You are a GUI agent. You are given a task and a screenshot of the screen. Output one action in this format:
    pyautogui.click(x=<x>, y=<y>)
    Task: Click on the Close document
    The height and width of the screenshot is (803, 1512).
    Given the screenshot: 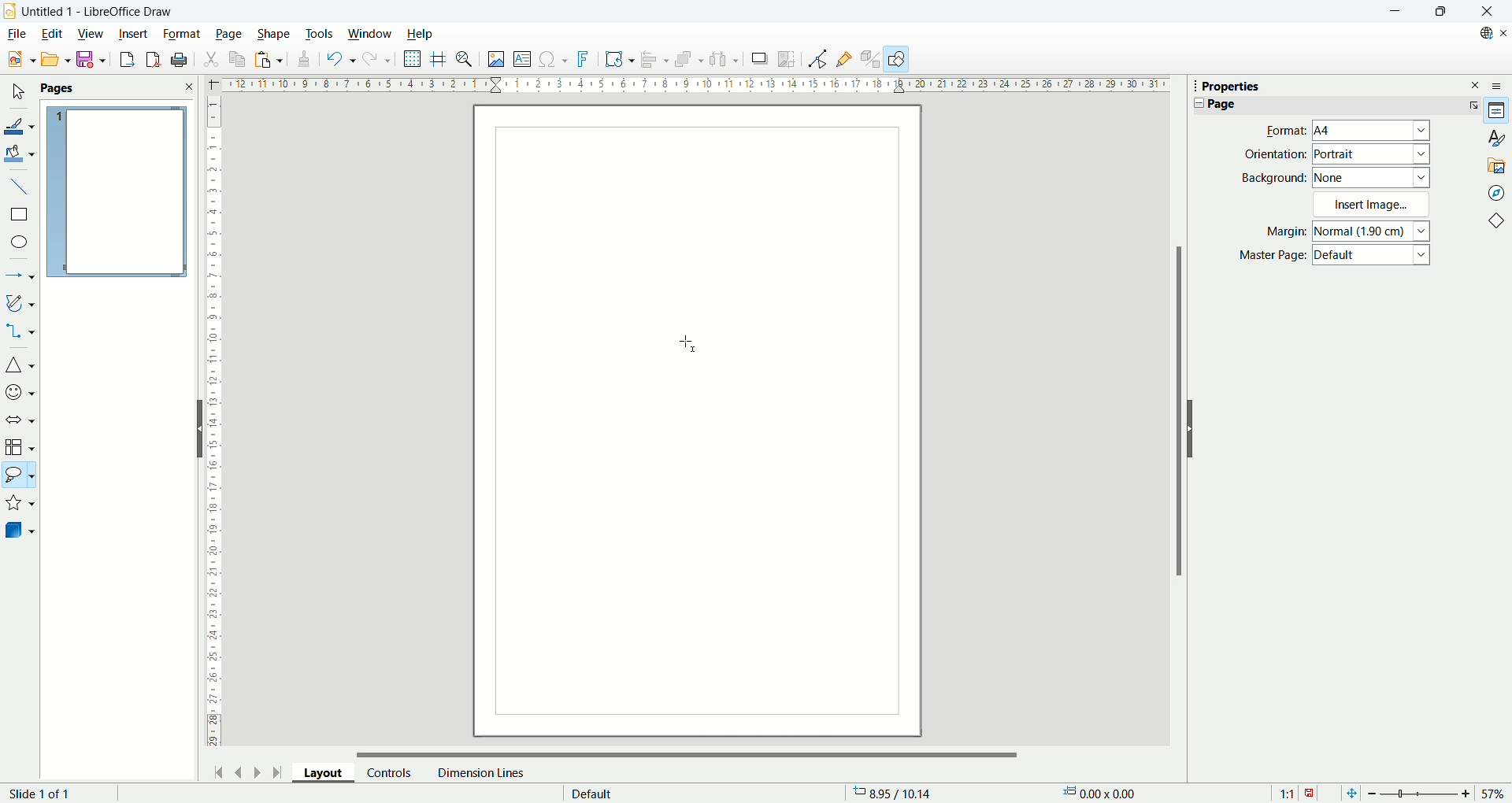 What is the action you would take?
    pyautogui.click(x=1503, y=33)
    